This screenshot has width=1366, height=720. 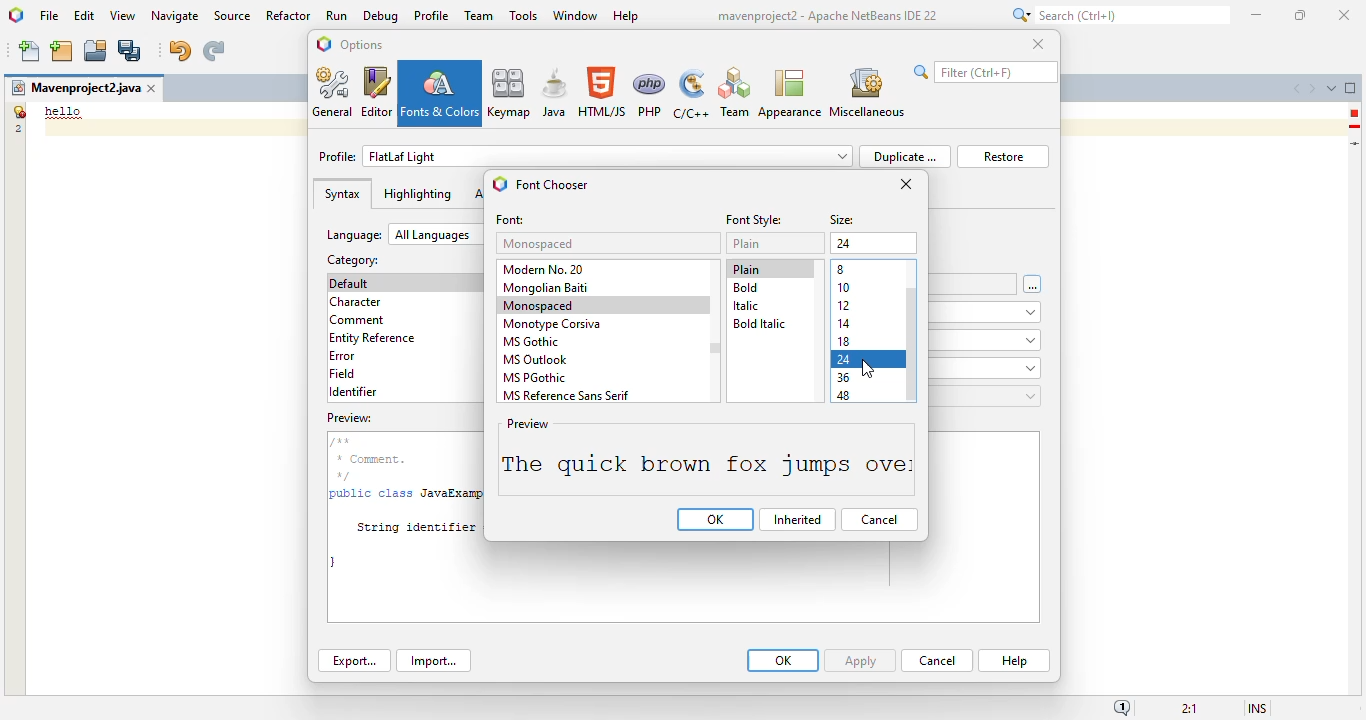 I want to click on minimize, so click(x=1258, y=15).